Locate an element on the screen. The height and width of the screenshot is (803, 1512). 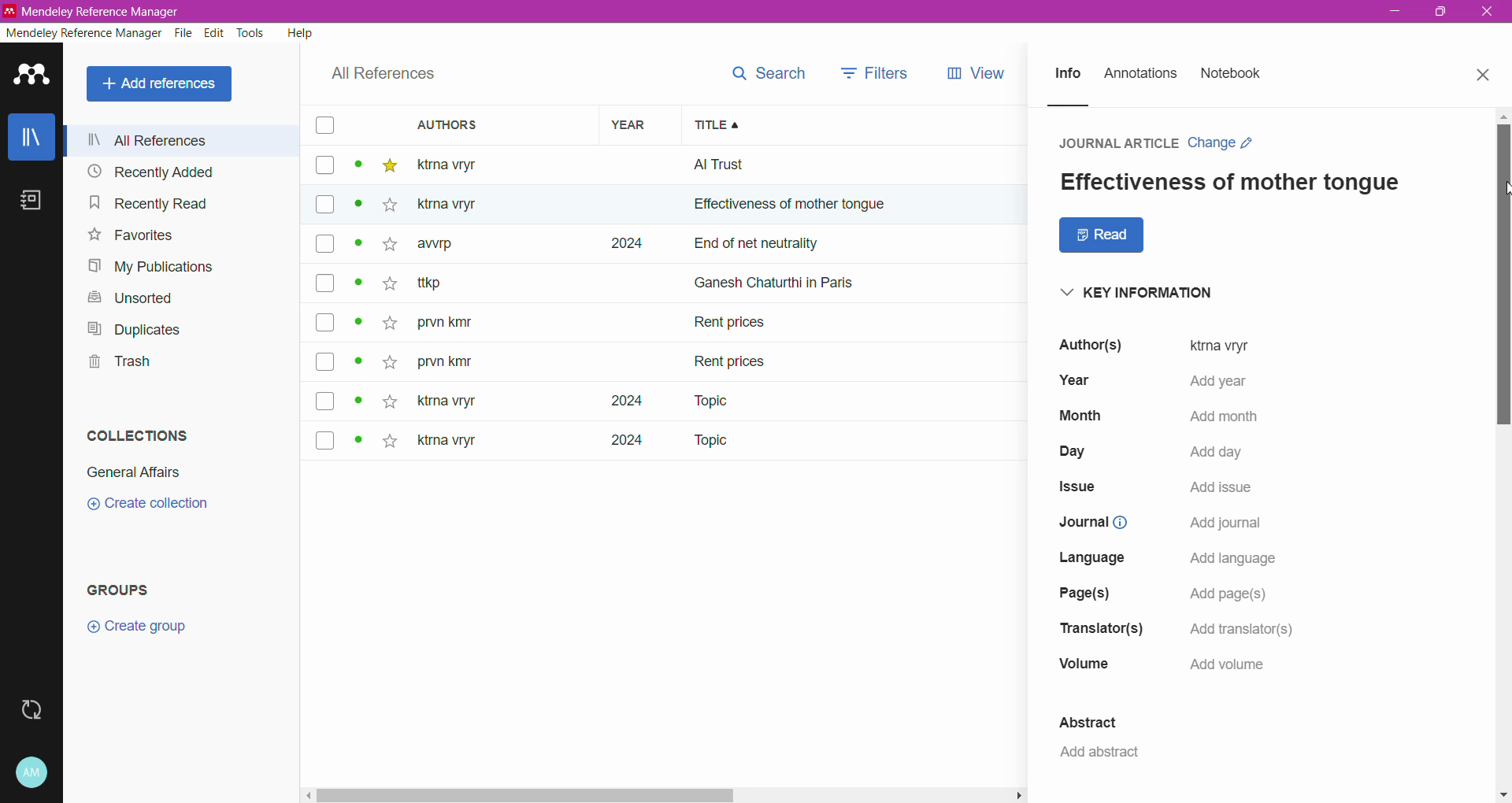
Create group is located at coordinates (136, 627).